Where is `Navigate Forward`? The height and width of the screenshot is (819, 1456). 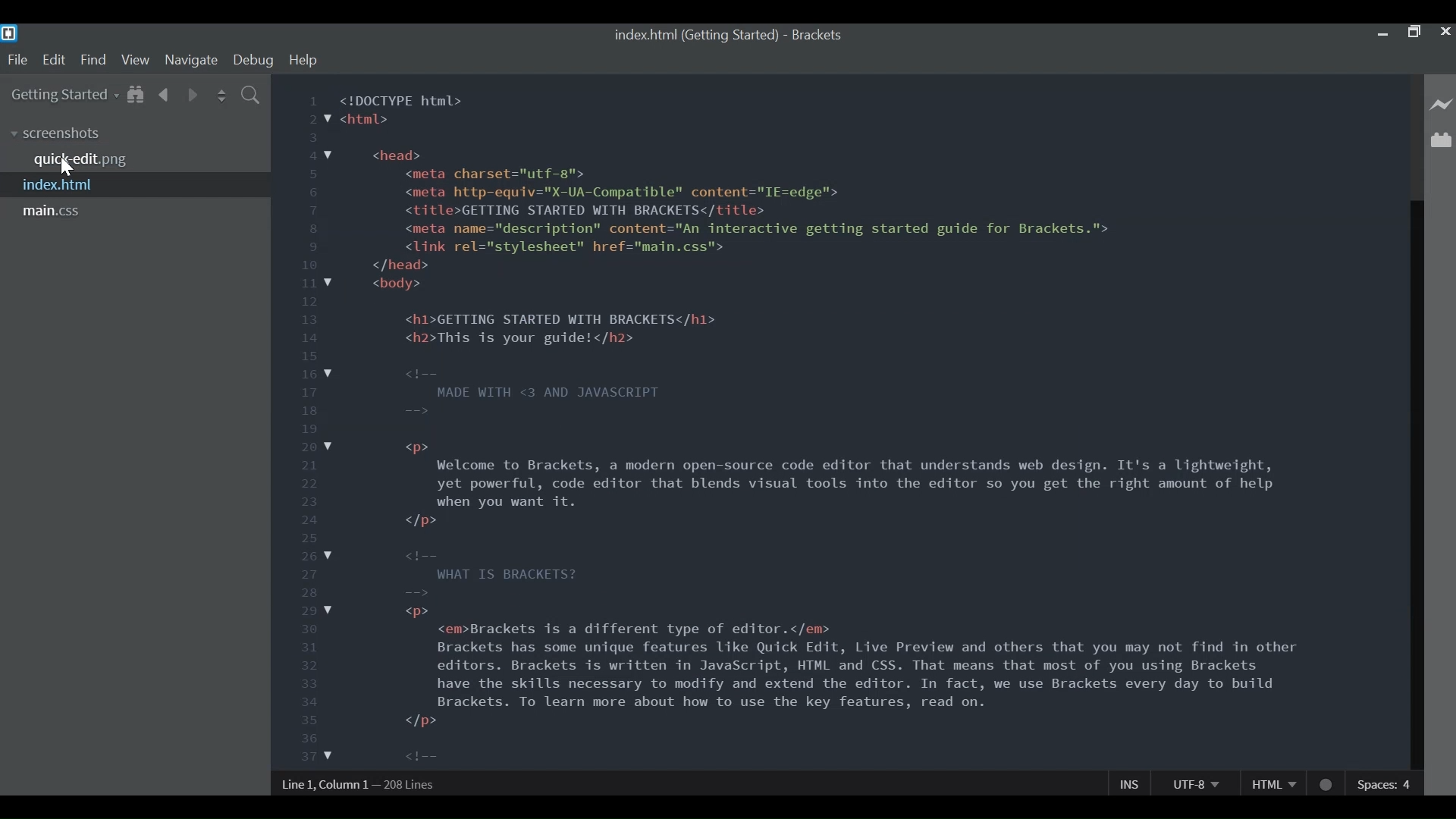 Navigate Forward is located at coordinates (193, 93).